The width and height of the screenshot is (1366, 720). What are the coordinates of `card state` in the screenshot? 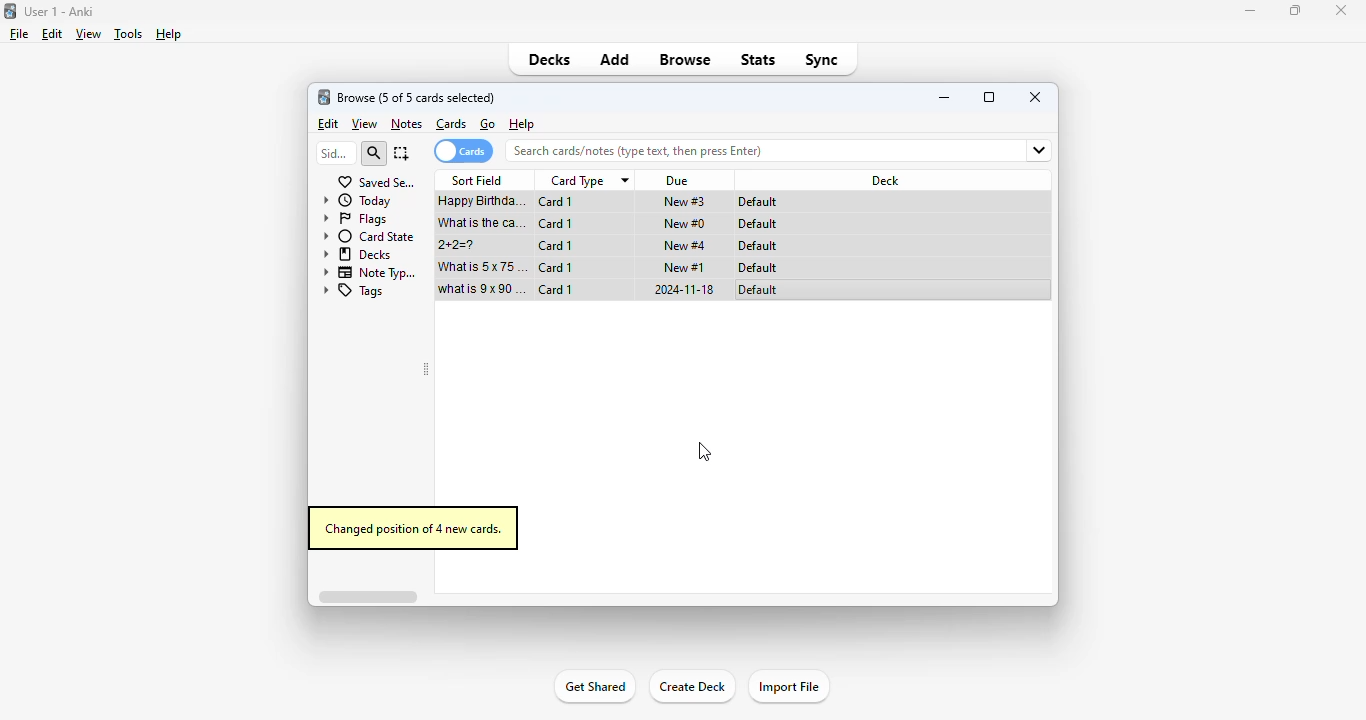 It's located at (370, 237).